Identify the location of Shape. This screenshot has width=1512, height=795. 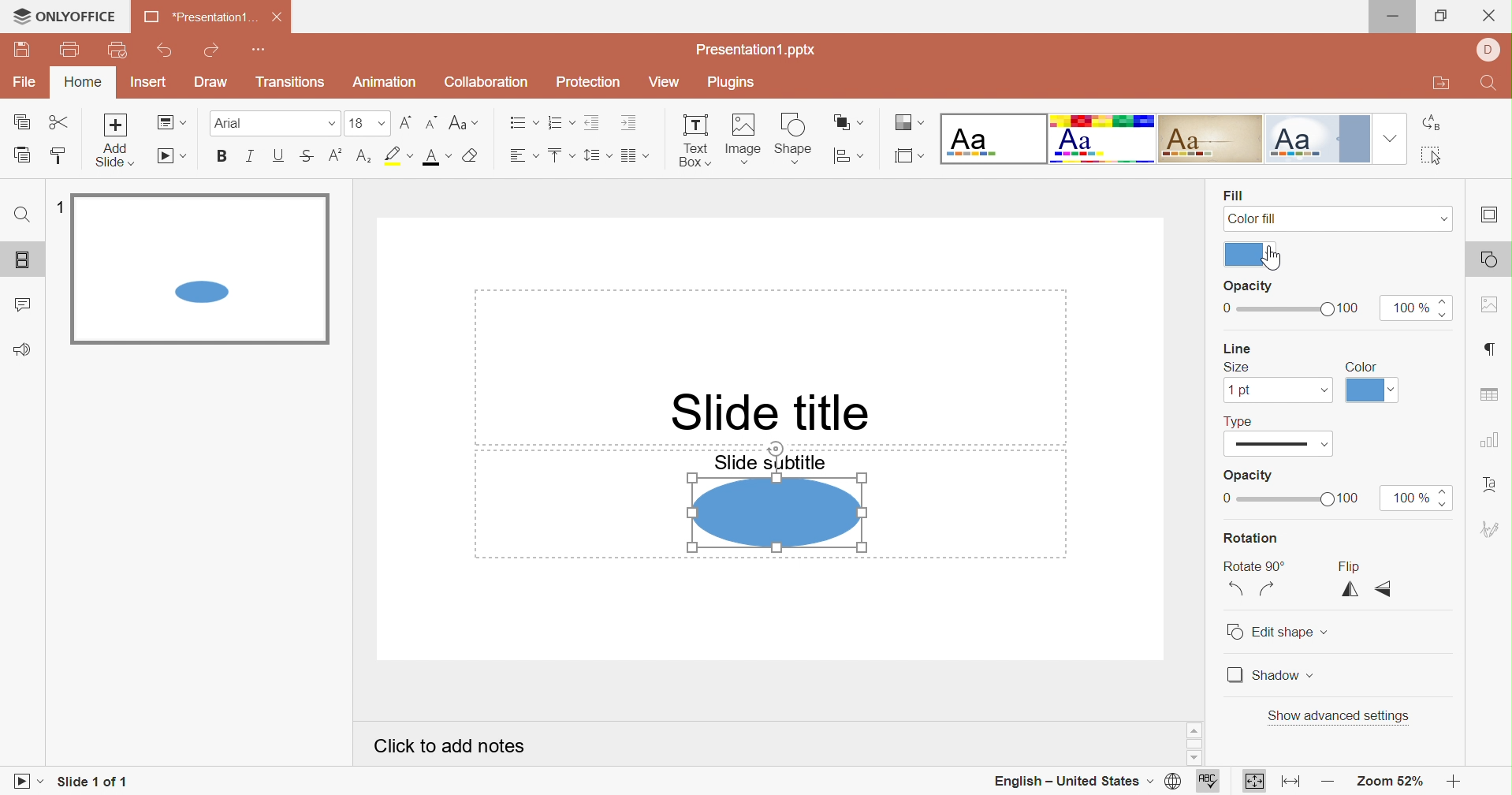
(793, 139).